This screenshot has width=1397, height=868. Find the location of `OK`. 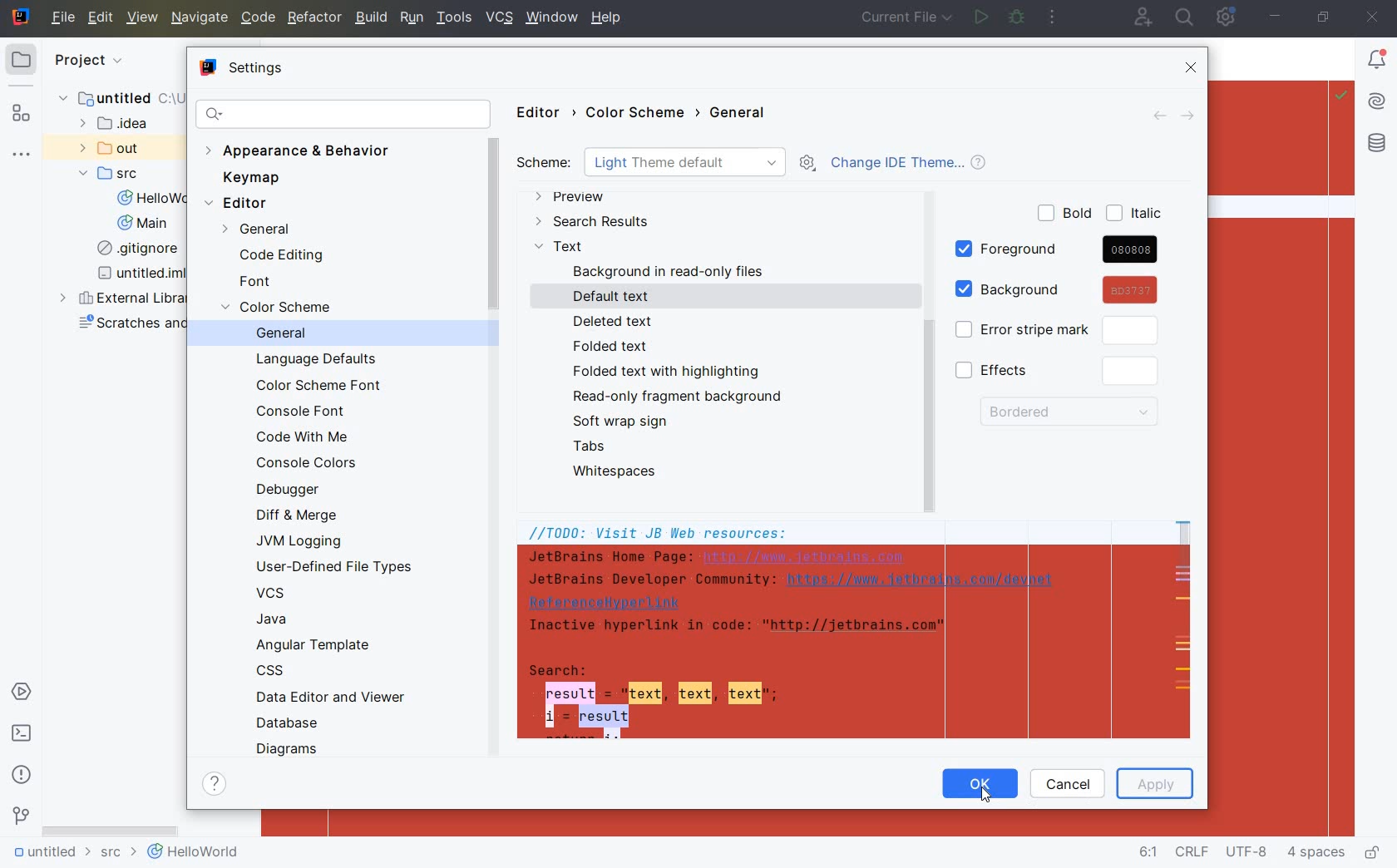

OK is located at coordinates (980, 777).